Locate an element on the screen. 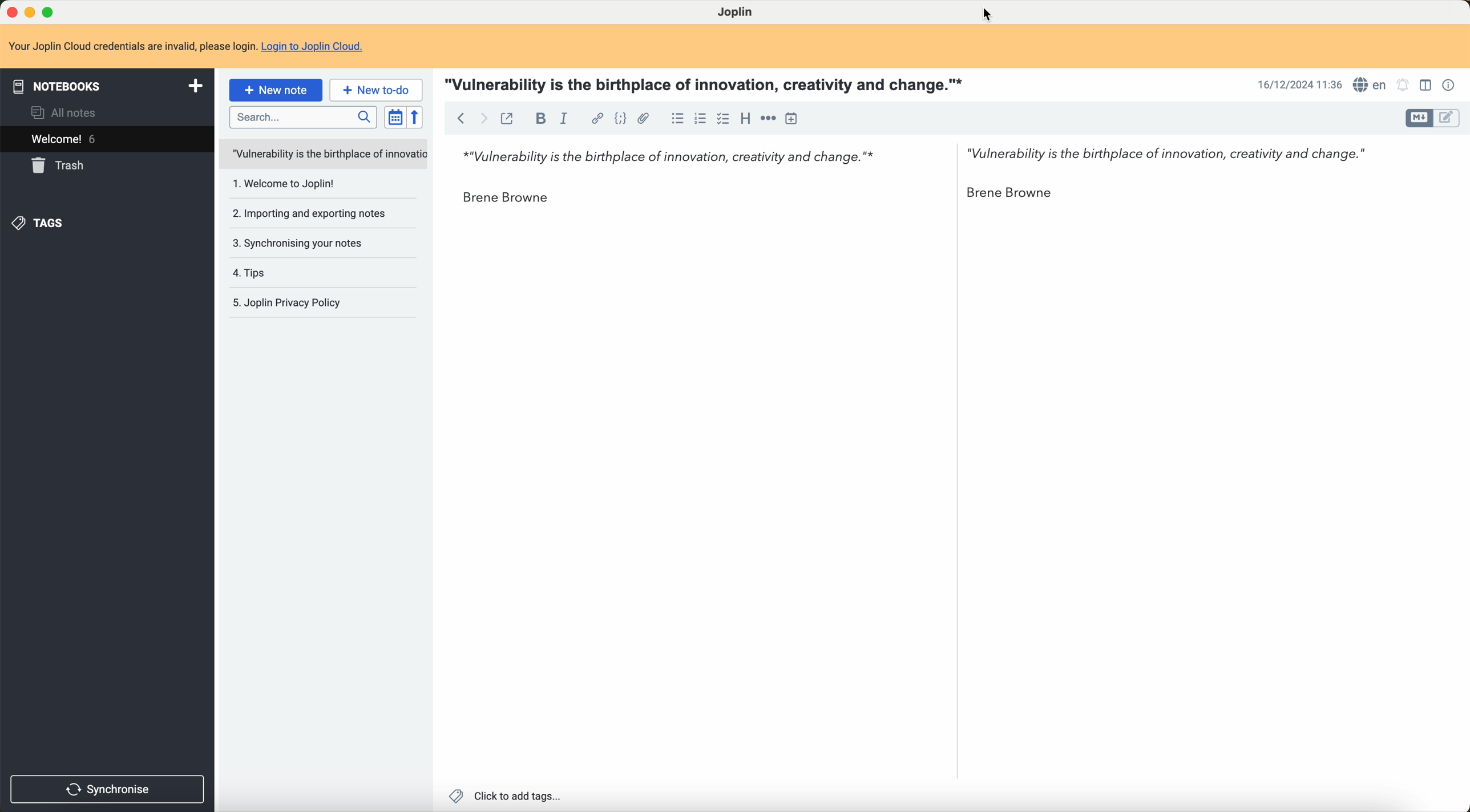 This screenshot has height=812, width=1470. hyperlink is located at coordinates (593, 118).